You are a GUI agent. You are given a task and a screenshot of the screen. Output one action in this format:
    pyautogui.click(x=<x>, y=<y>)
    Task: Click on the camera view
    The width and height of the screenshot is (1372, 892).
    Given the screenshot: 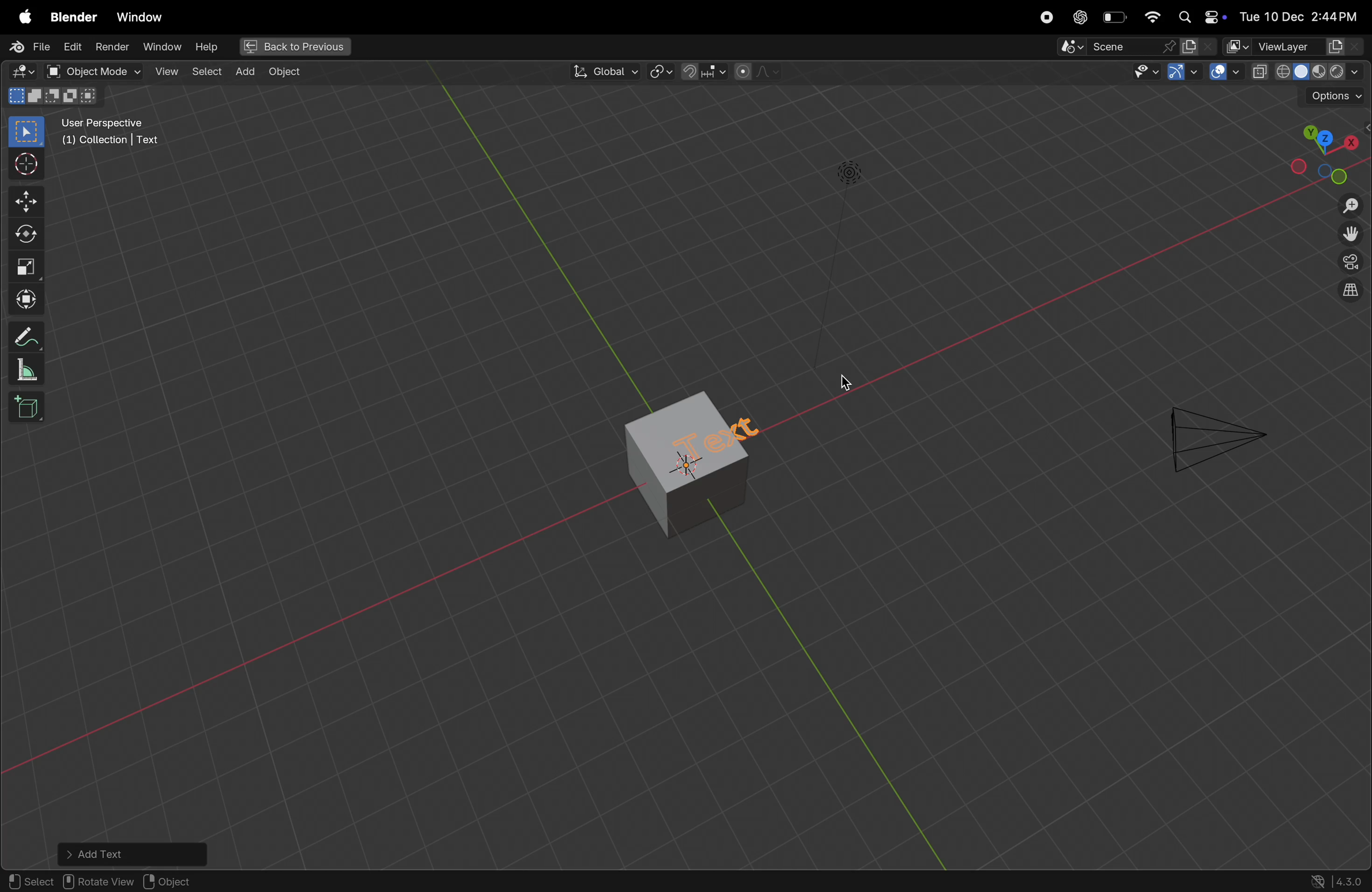 What is the action you would take?
    pyautogui.click(x=1349, y=266)
    